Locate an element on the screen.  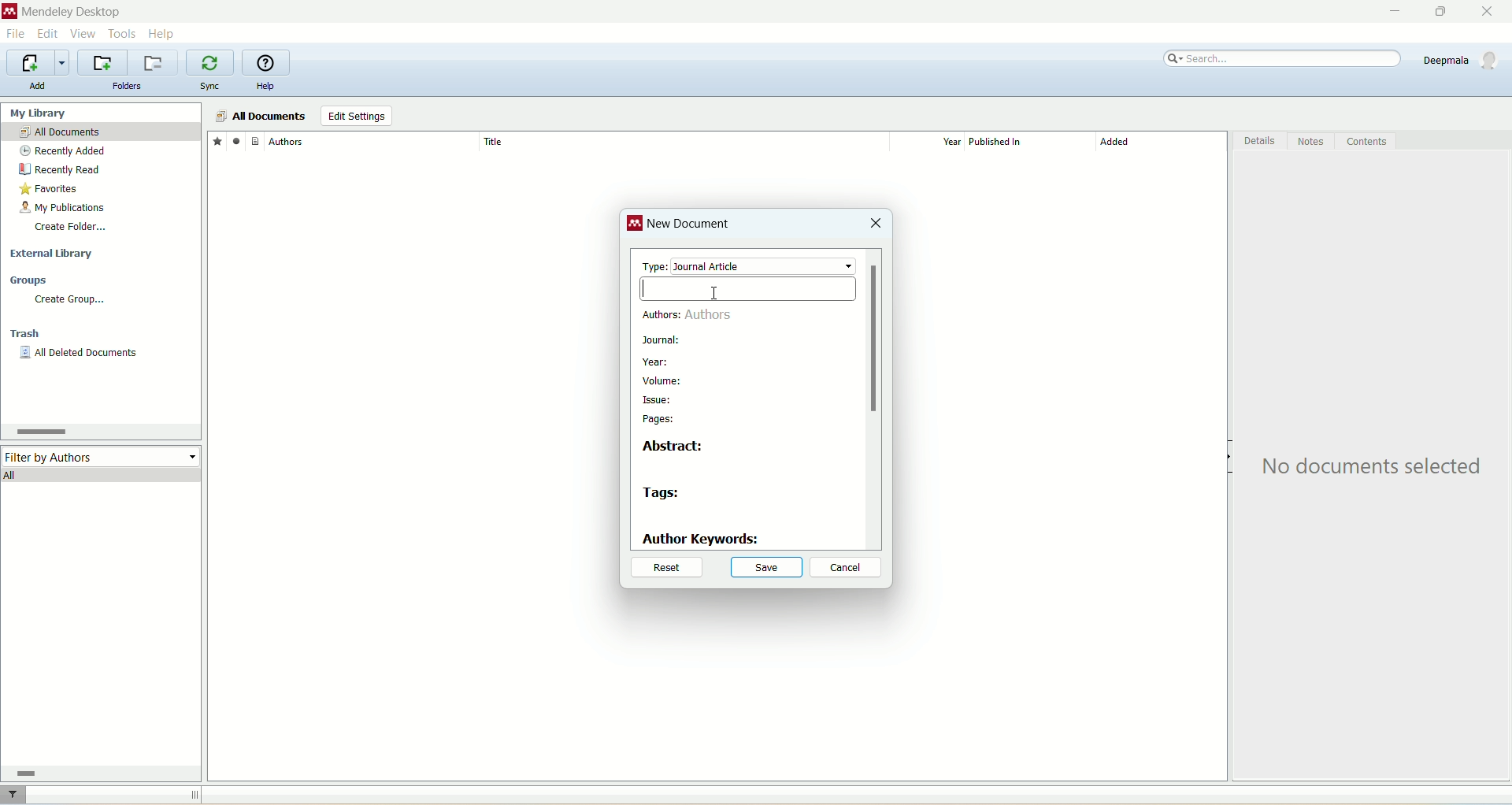
published in is located at coordinates (1024, 142).